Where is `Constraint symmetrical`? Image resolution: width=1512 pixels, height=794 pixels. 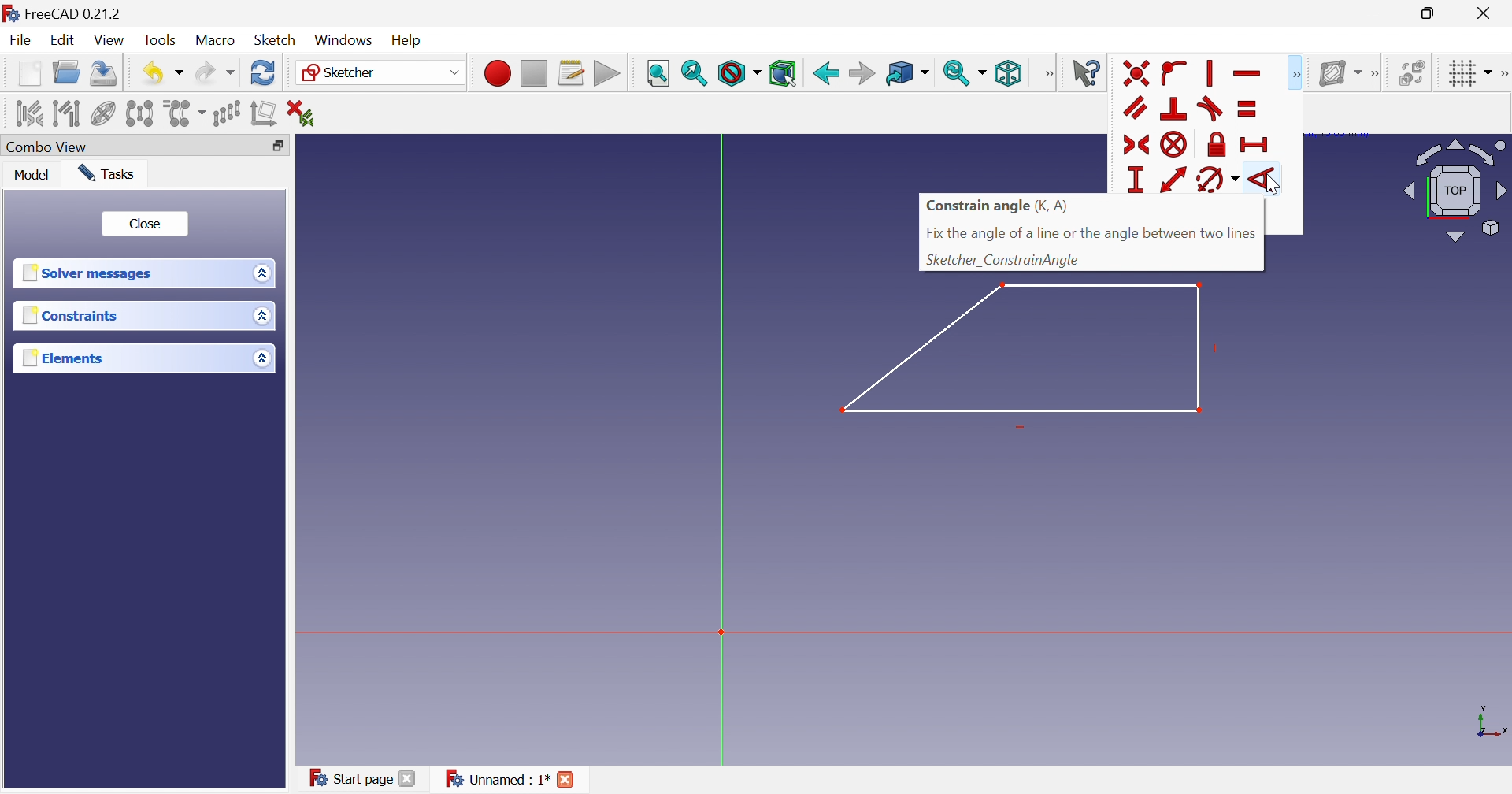 Constraint symmetrical is located at coordinates (1136, 144).